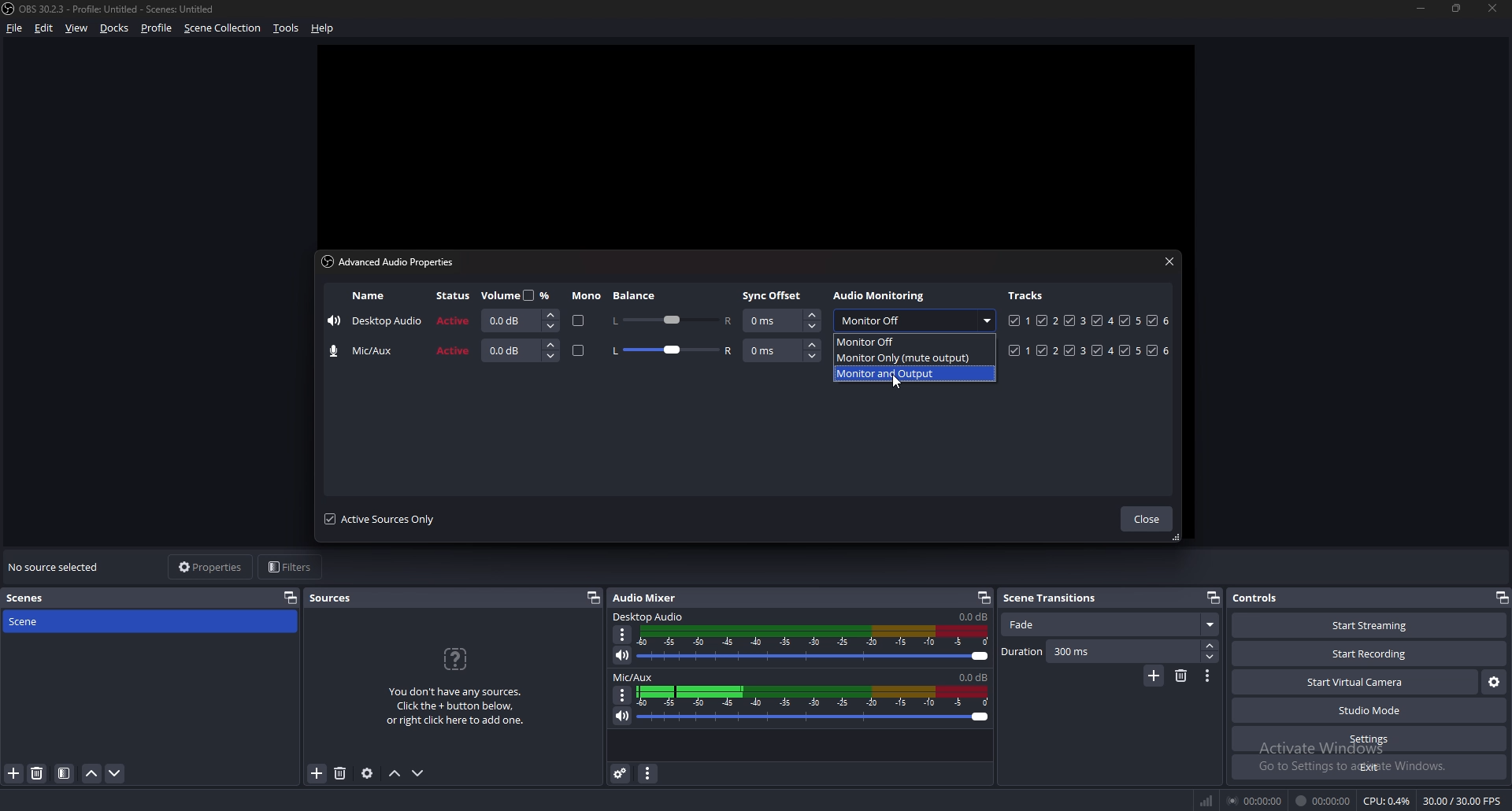 Image resolution: width=1512 pixels, height=811 pixels. Describe the element at coordinates (366, 774) in the screenshot. I see `source properties` at that location.